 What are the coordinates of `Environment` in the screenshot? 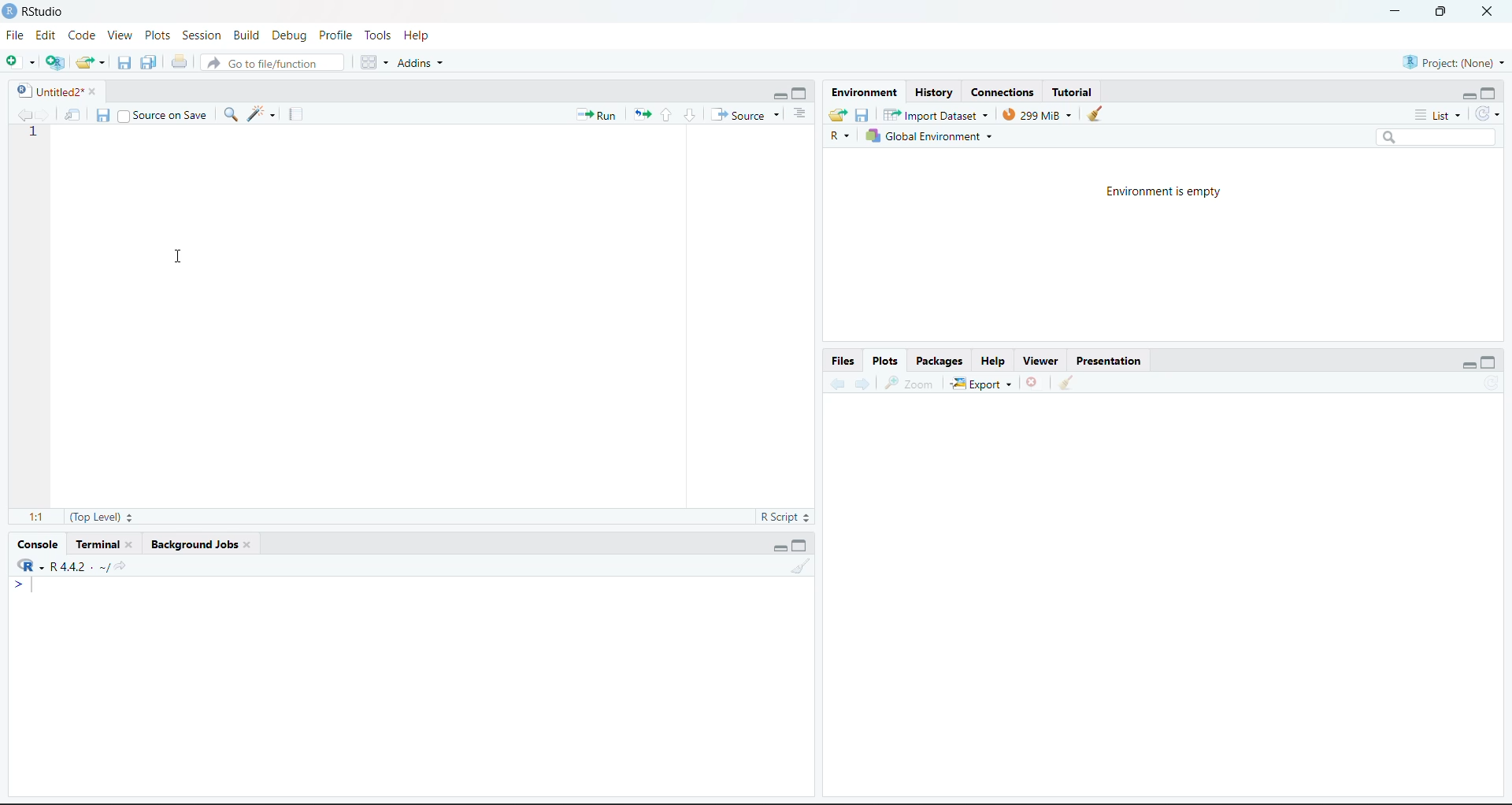 It's located at (863, 91).